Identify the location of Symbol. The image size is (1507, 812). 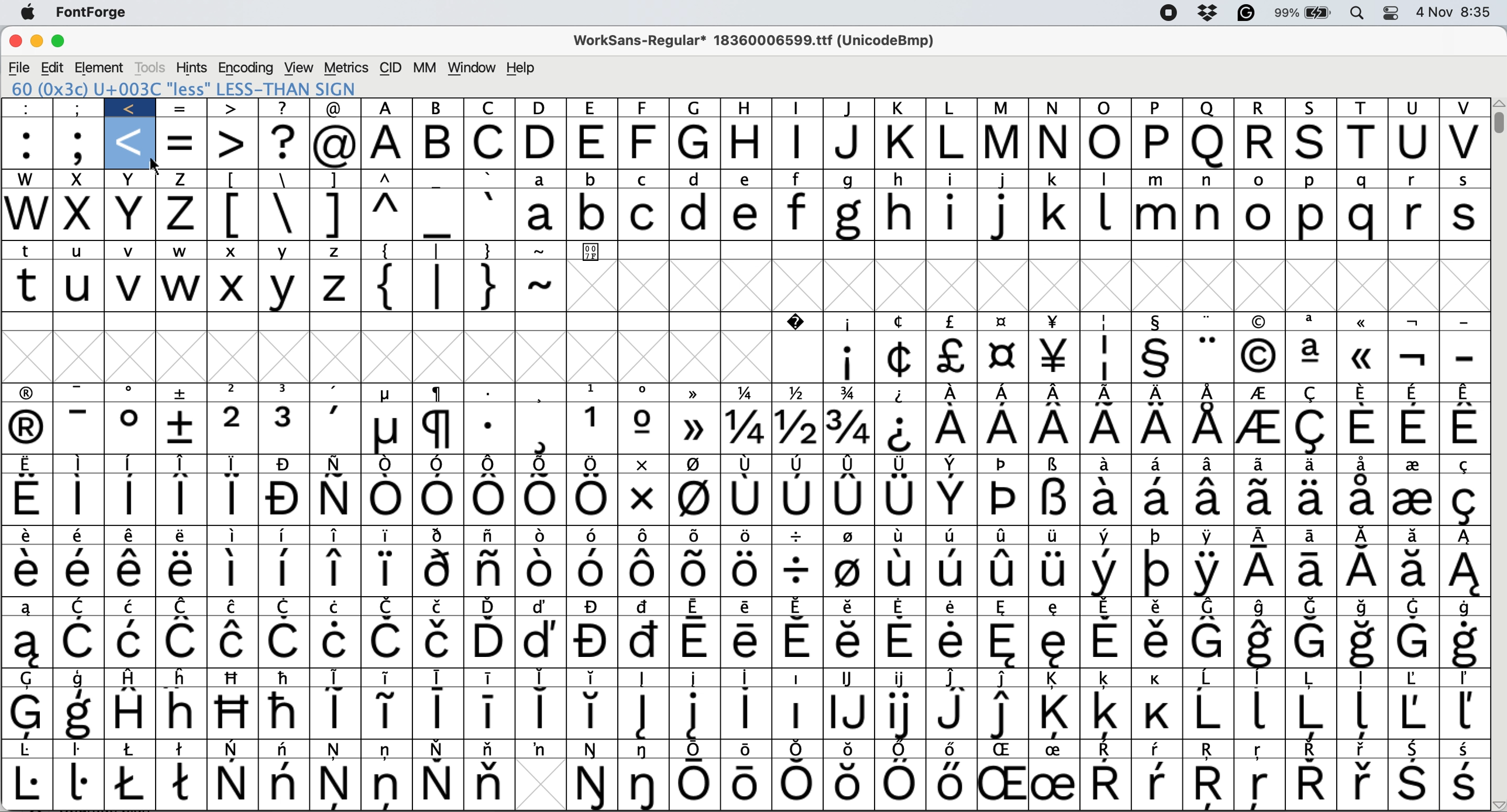
(1312, 642).